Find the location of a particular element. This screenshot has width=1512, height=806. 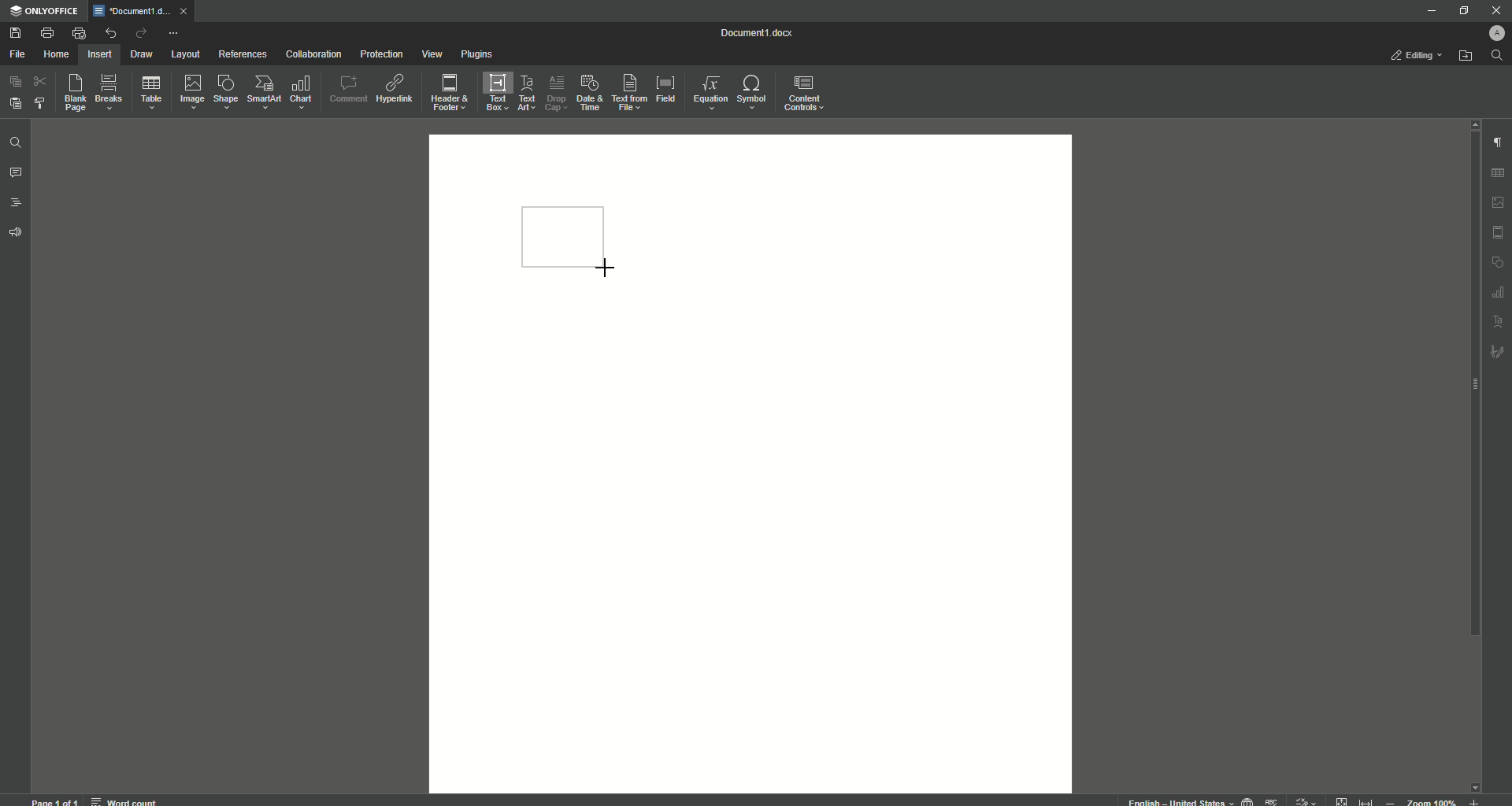

image is located at coordinates (1499, 202).